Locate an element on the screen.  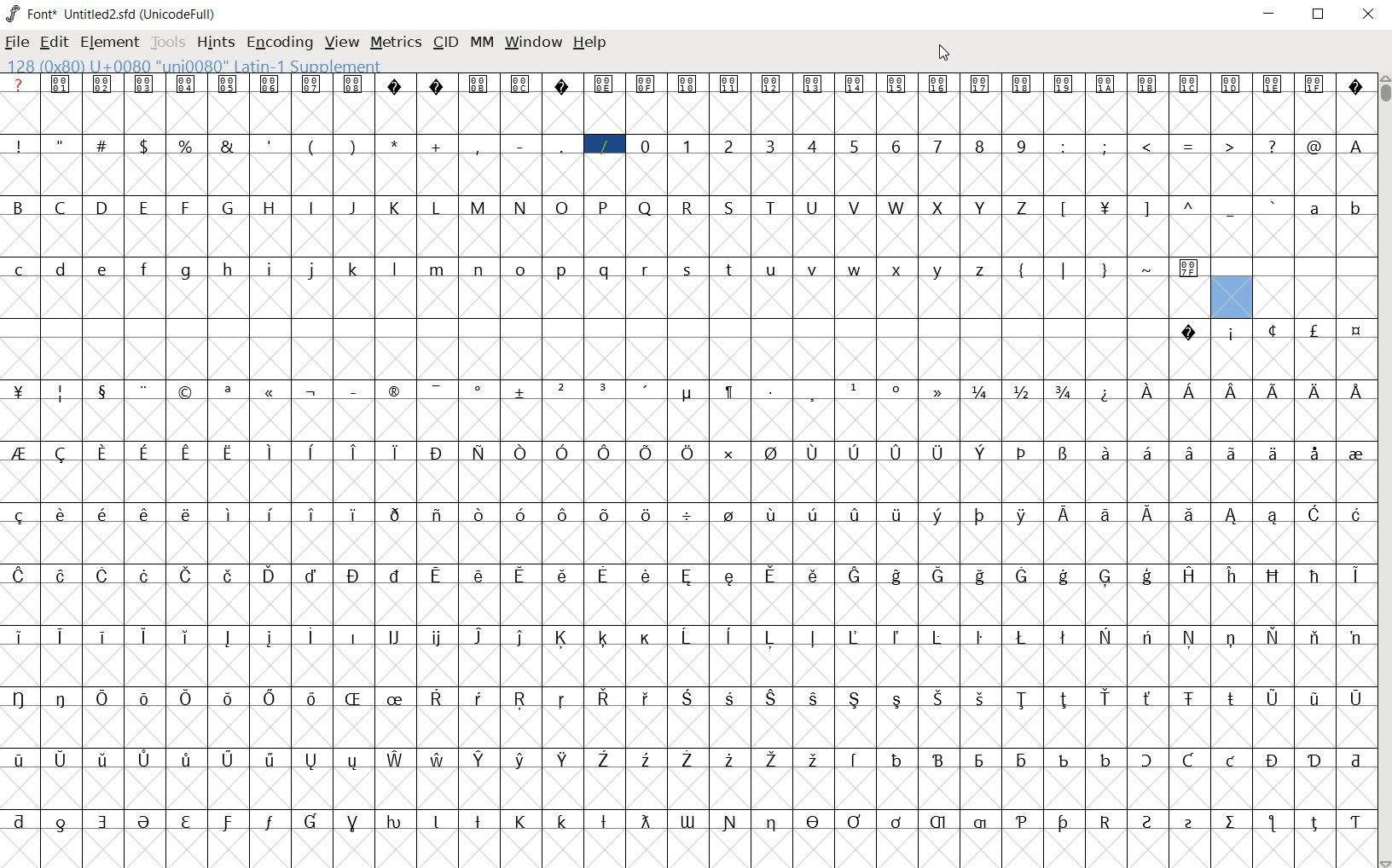
glyph is located at coordinates (853, 637).